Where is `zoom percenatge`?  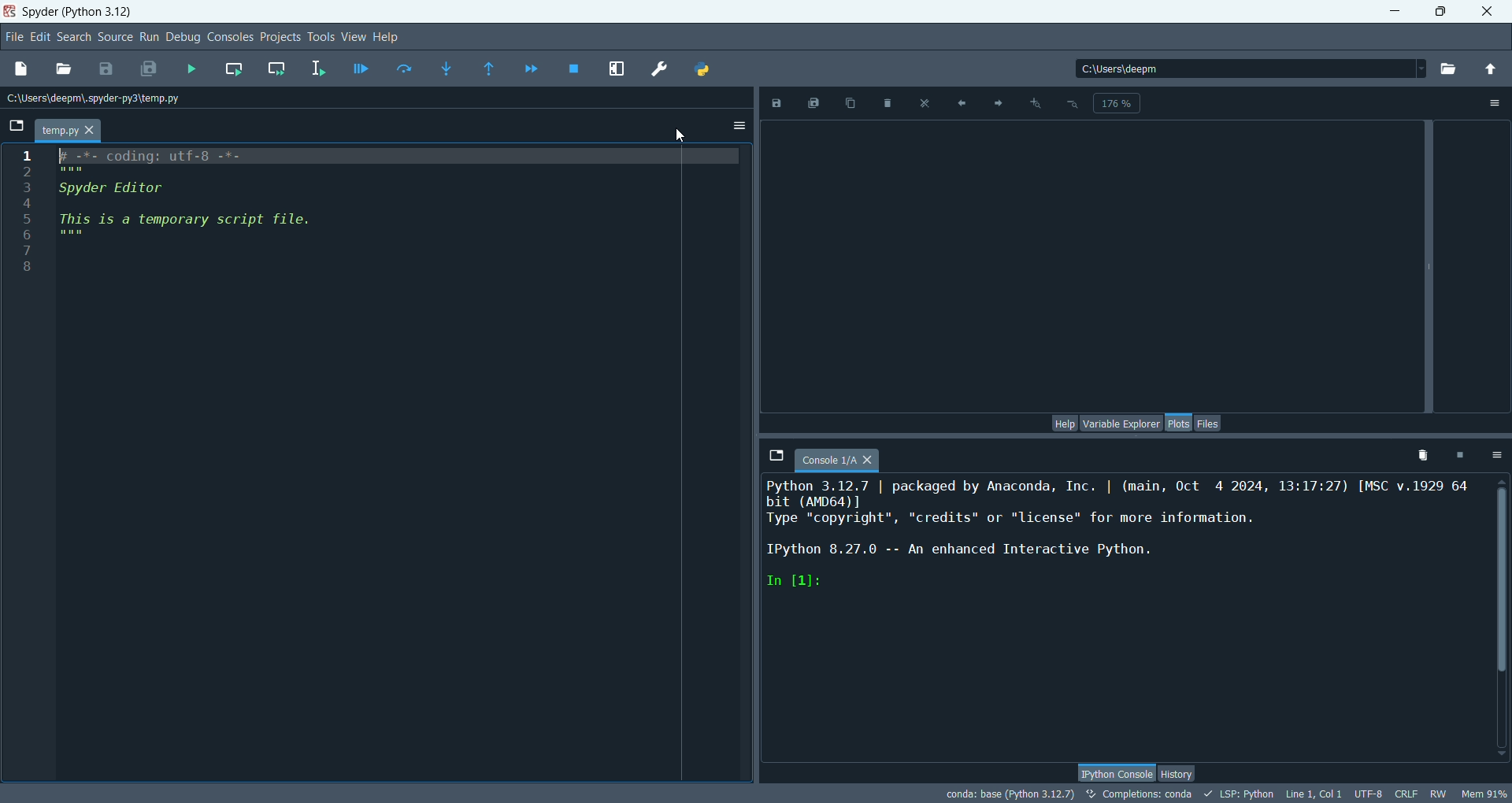 zoom percenatge is located at coordinates (1117, 104).